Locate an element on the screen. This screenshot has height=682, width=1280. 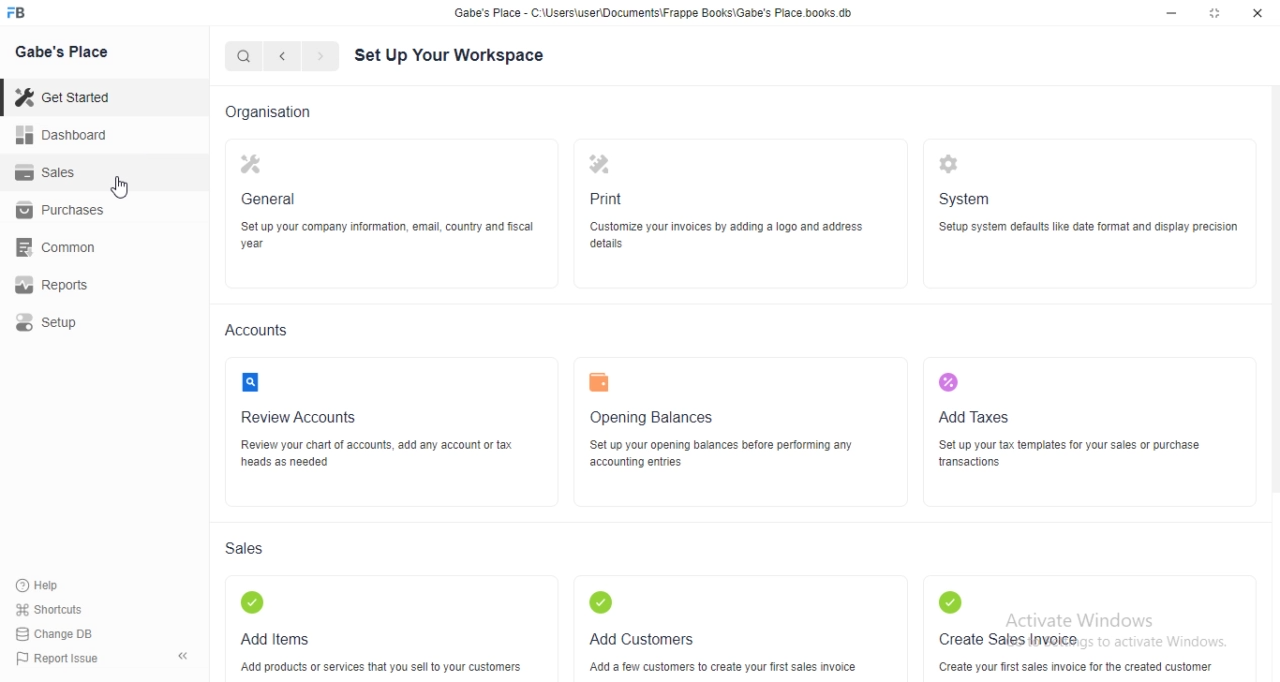
Sales is located at coordinates (94, 171).